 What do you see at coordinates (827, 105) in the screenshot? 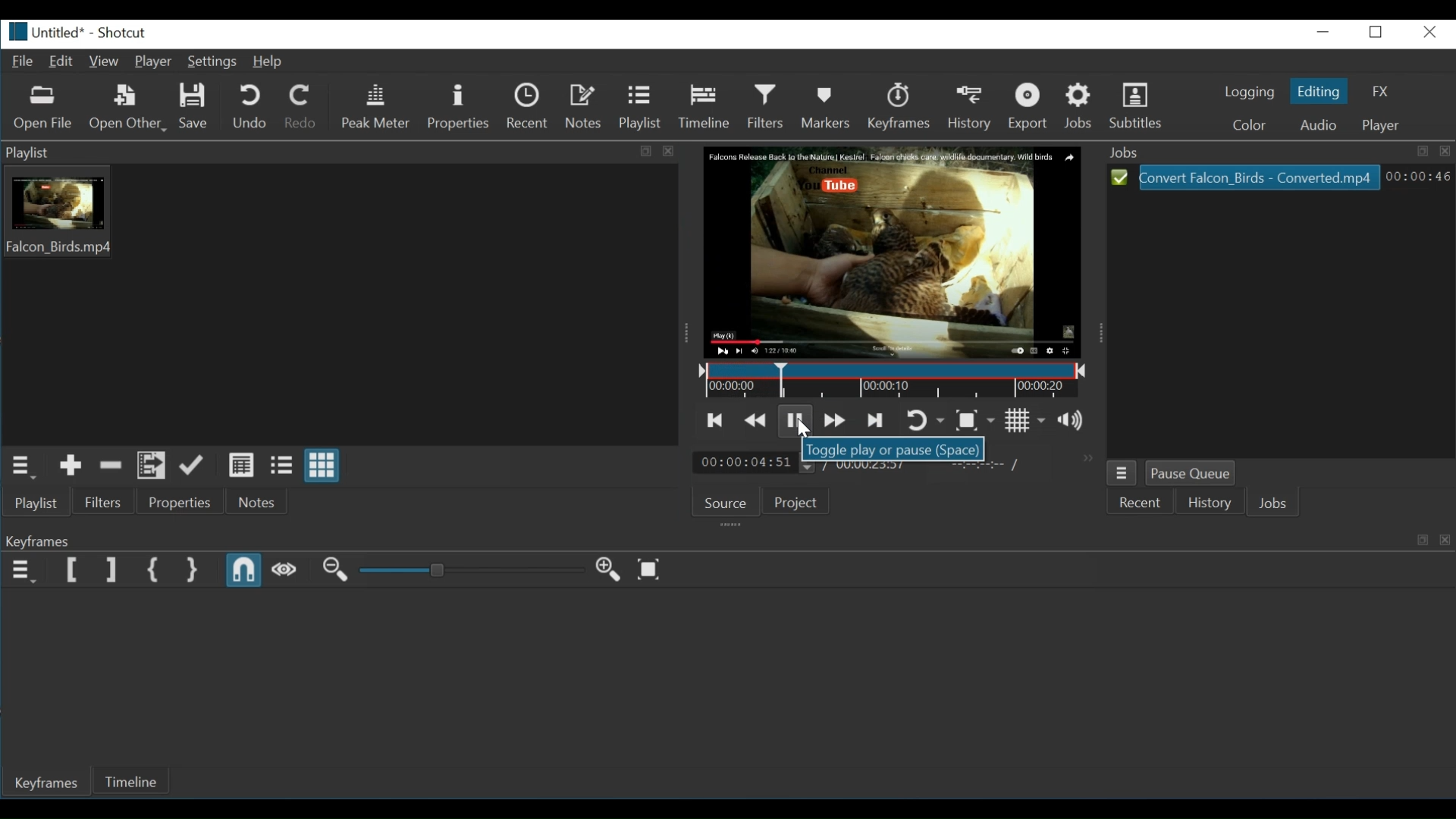
I see `Markers` at bounding box center [827, 105].